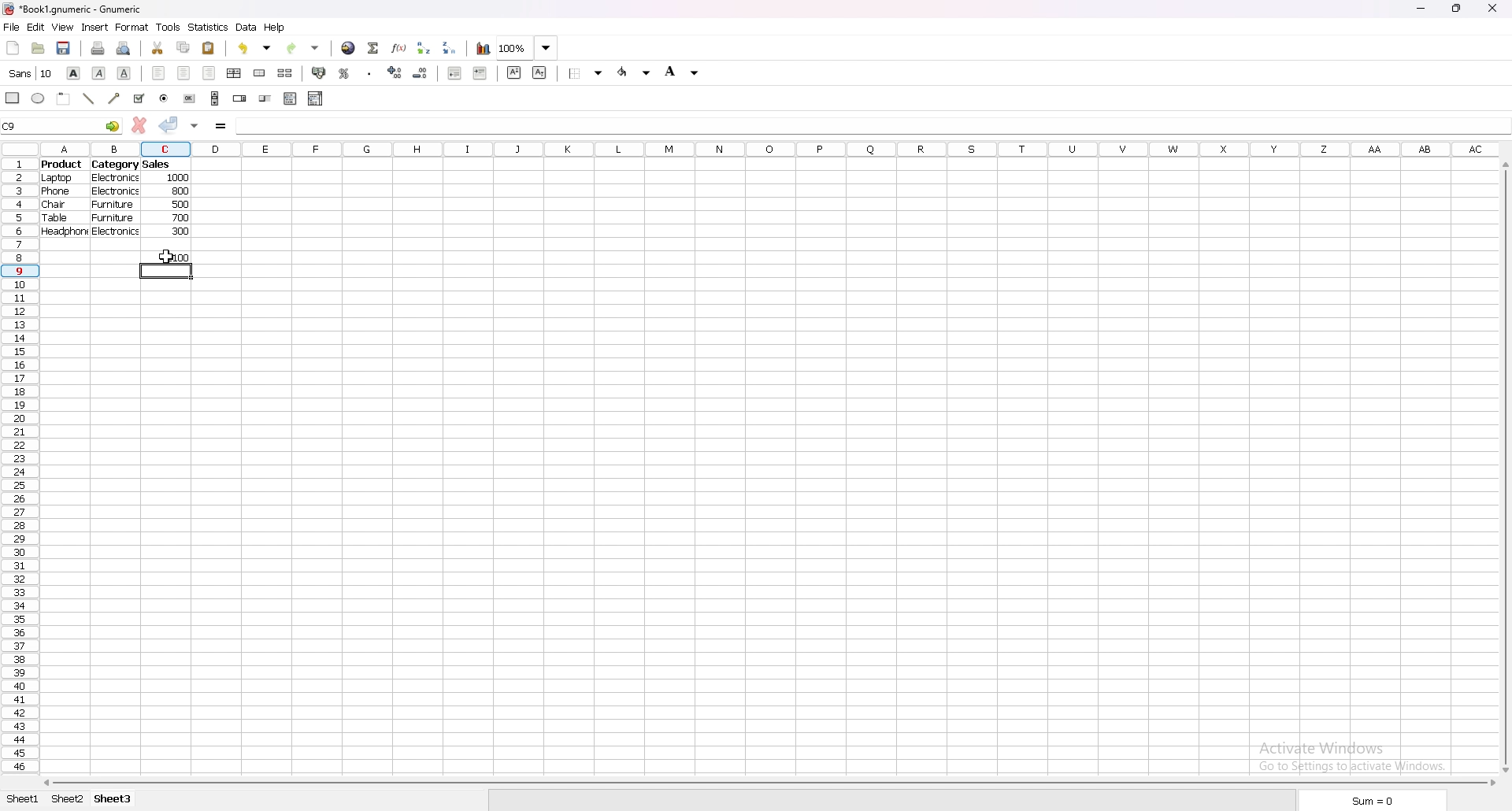 The image size is (1512, 811). Describe the element at coordinates (770, 782) in the screenshot. I see `scroll bar` at that location.